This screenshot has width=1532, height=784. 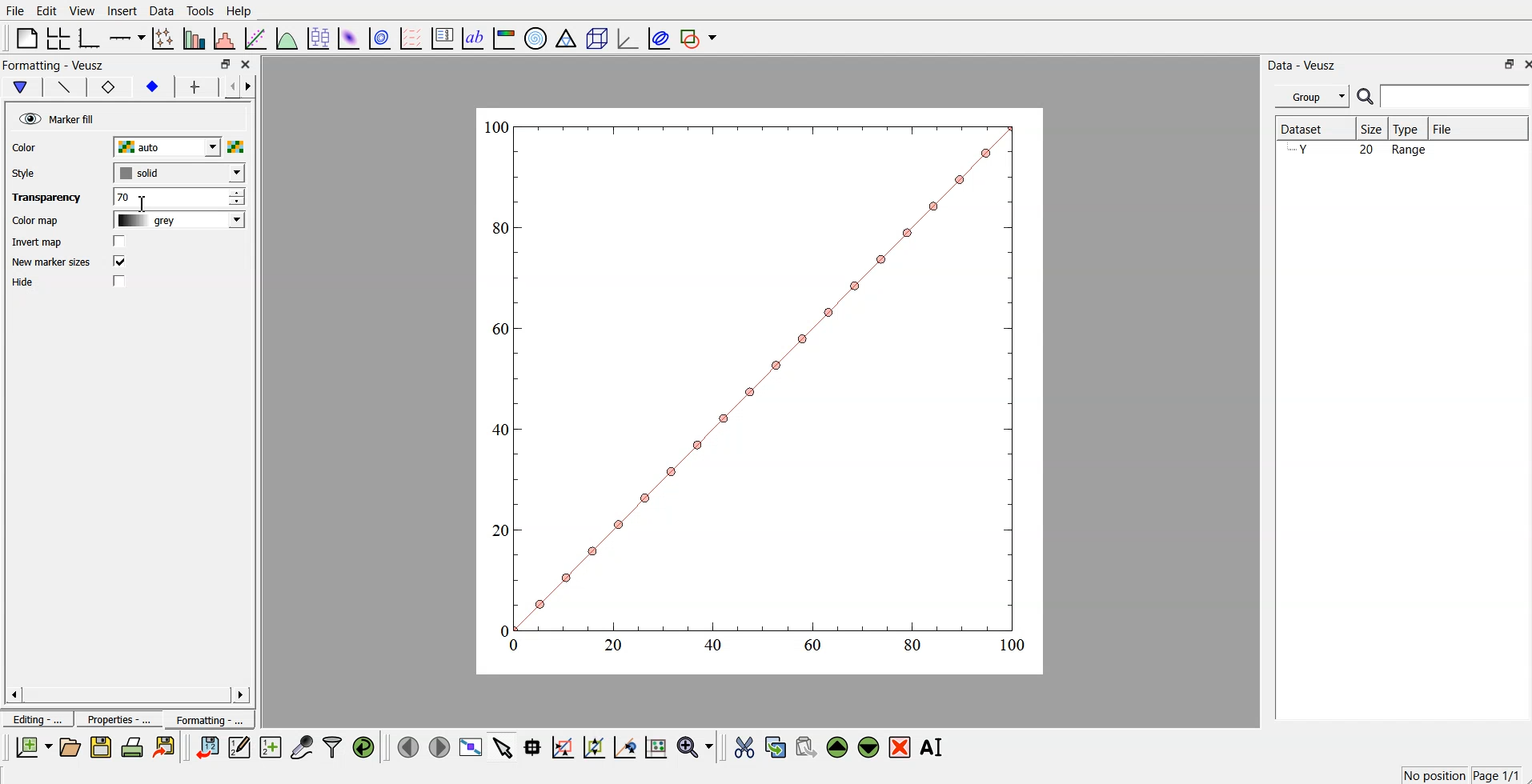 I want to click on plot a 2d dataset as an, so click(x=348, y=37).